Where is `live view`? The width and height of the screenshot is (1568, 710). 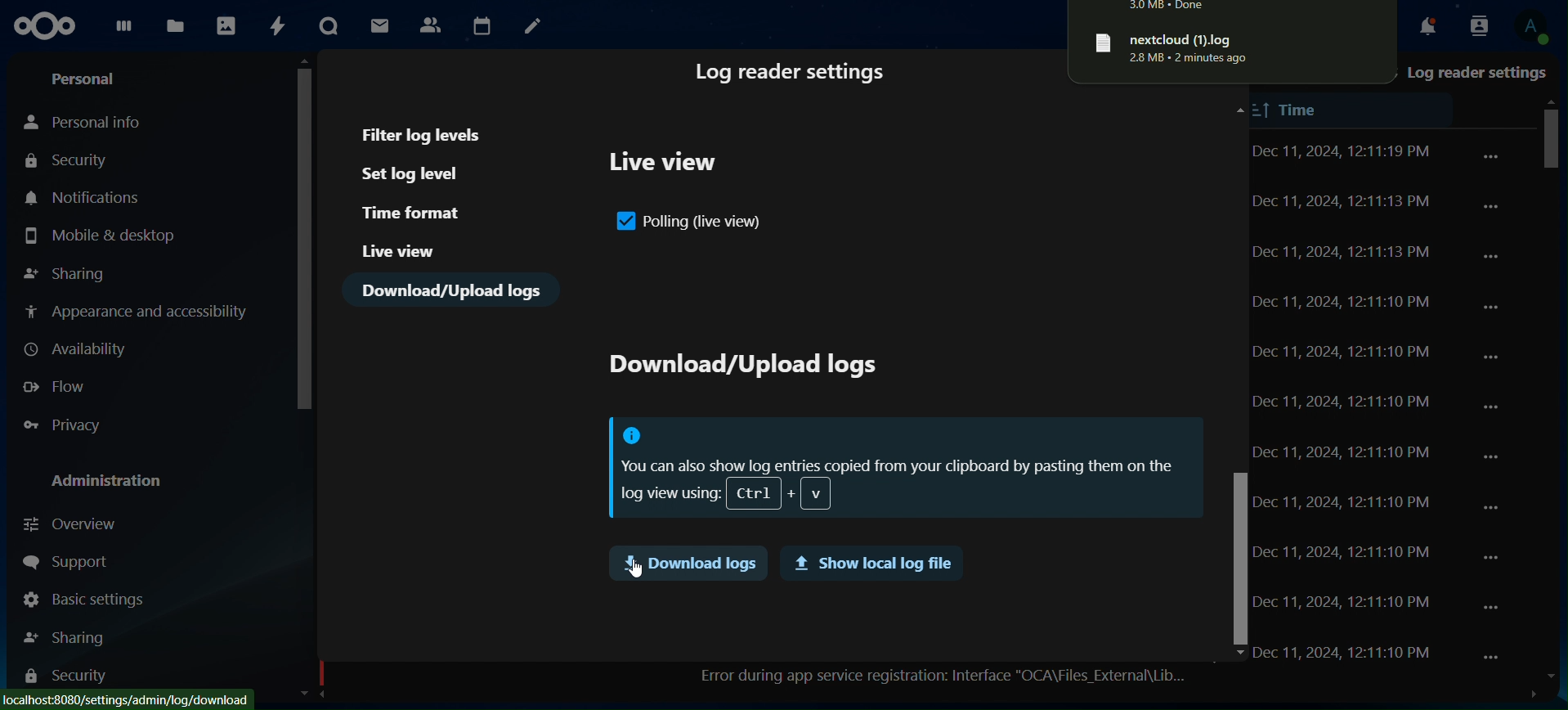
live view is located at coordinates (666, 166).